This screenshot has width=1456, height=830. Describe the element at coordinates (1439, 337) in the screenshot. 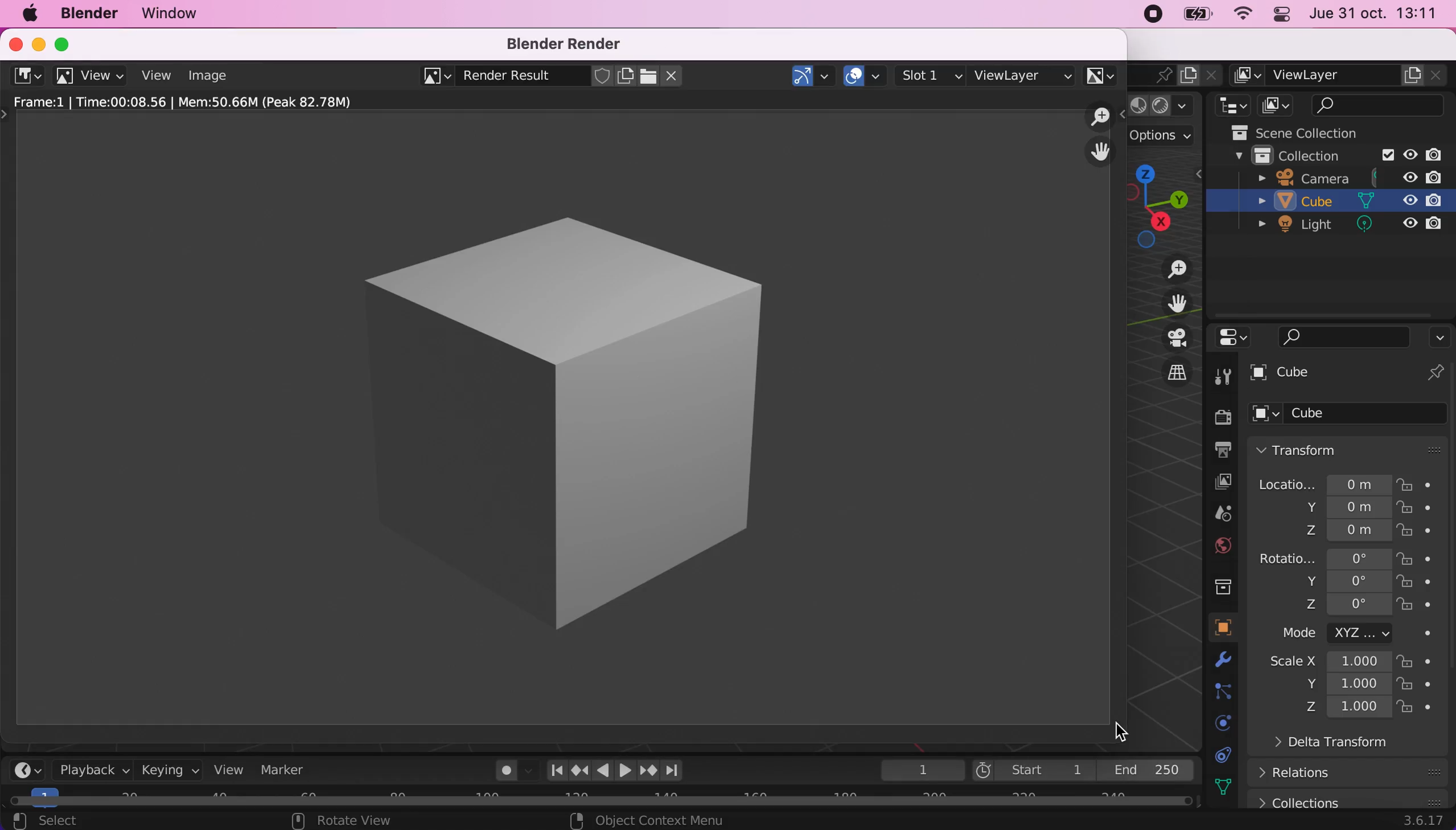

I see `options` at that location.